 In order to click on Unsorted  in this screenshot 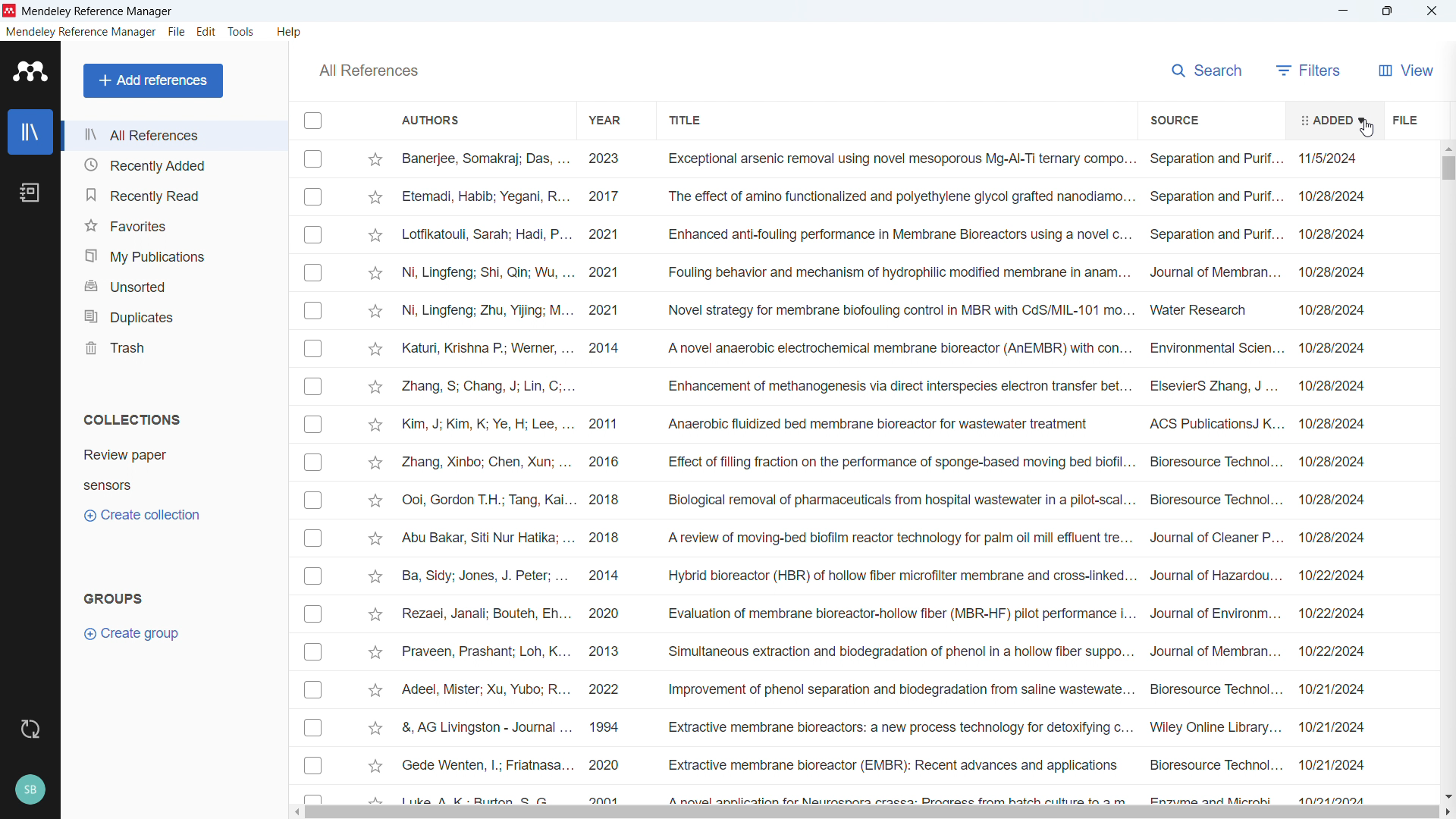, I will do `click(173, 283)`.